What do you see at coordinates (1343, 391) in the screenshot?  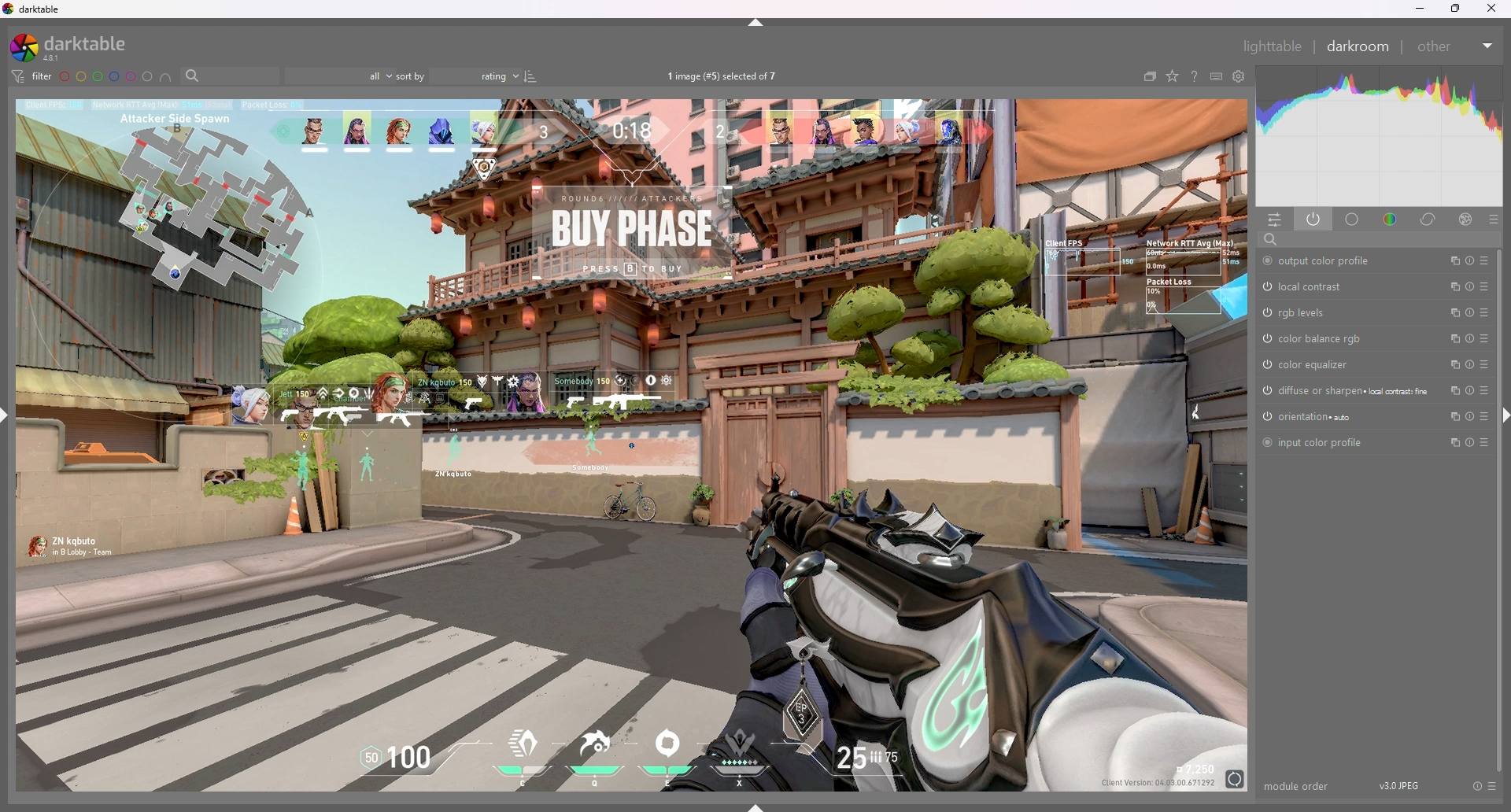 I see `diffuse or sharpen` at bounding box center [1343, 391].